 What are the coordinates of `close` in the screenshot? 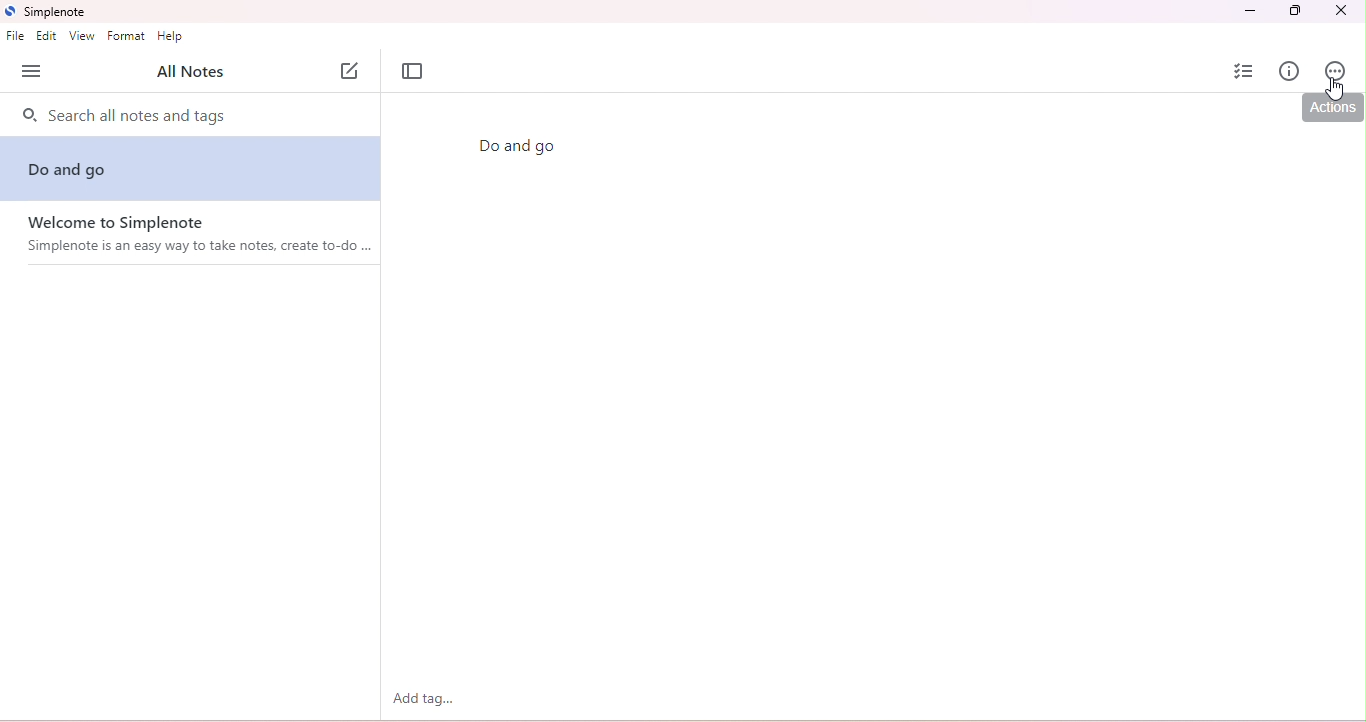 It's located at (1338, 11).